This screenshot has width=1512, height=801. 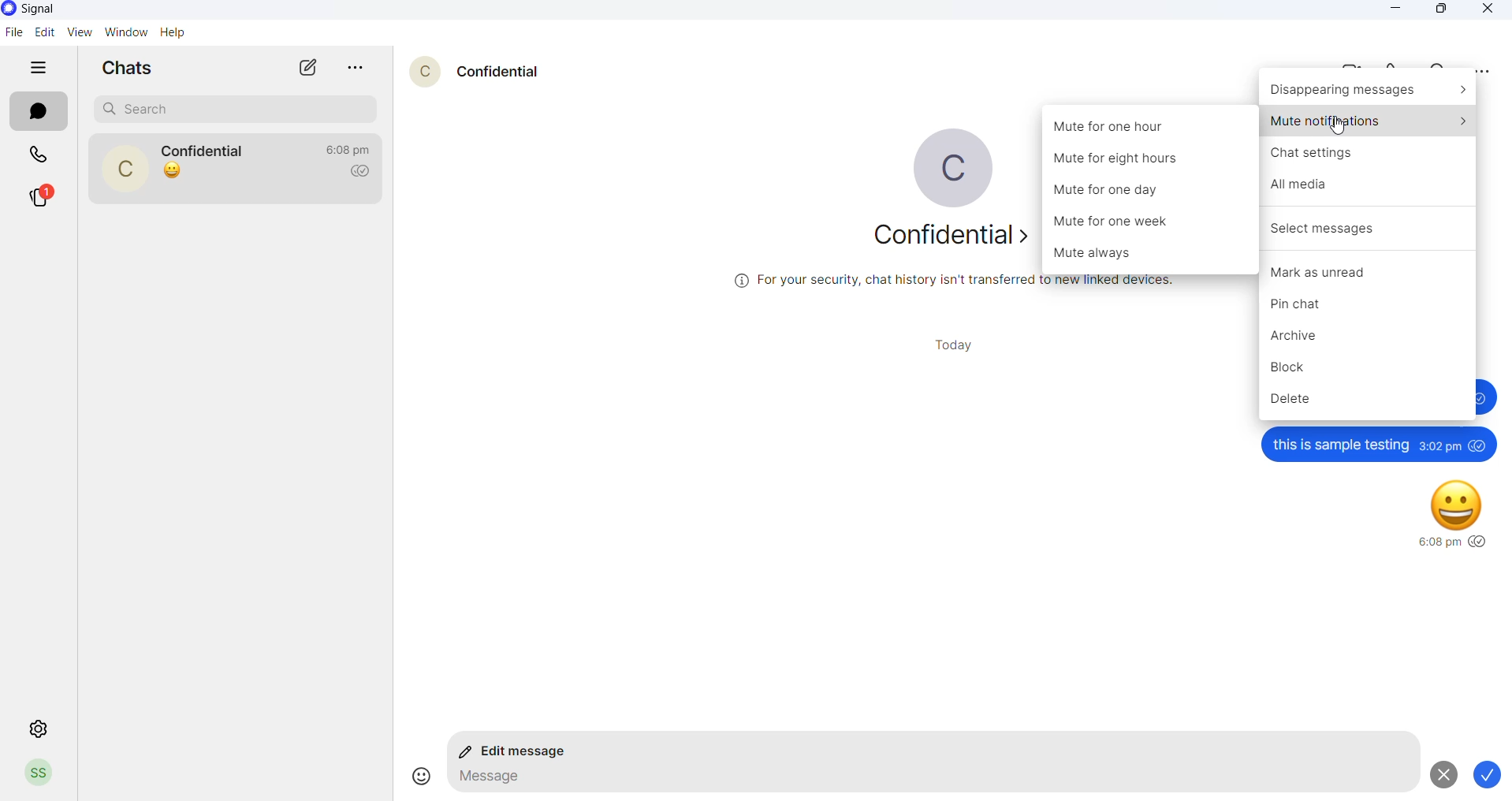 What do you see at coordinates (1369, 91) in the screenshot?
I see `disappearing messages` at bounding box center [1369, 91].